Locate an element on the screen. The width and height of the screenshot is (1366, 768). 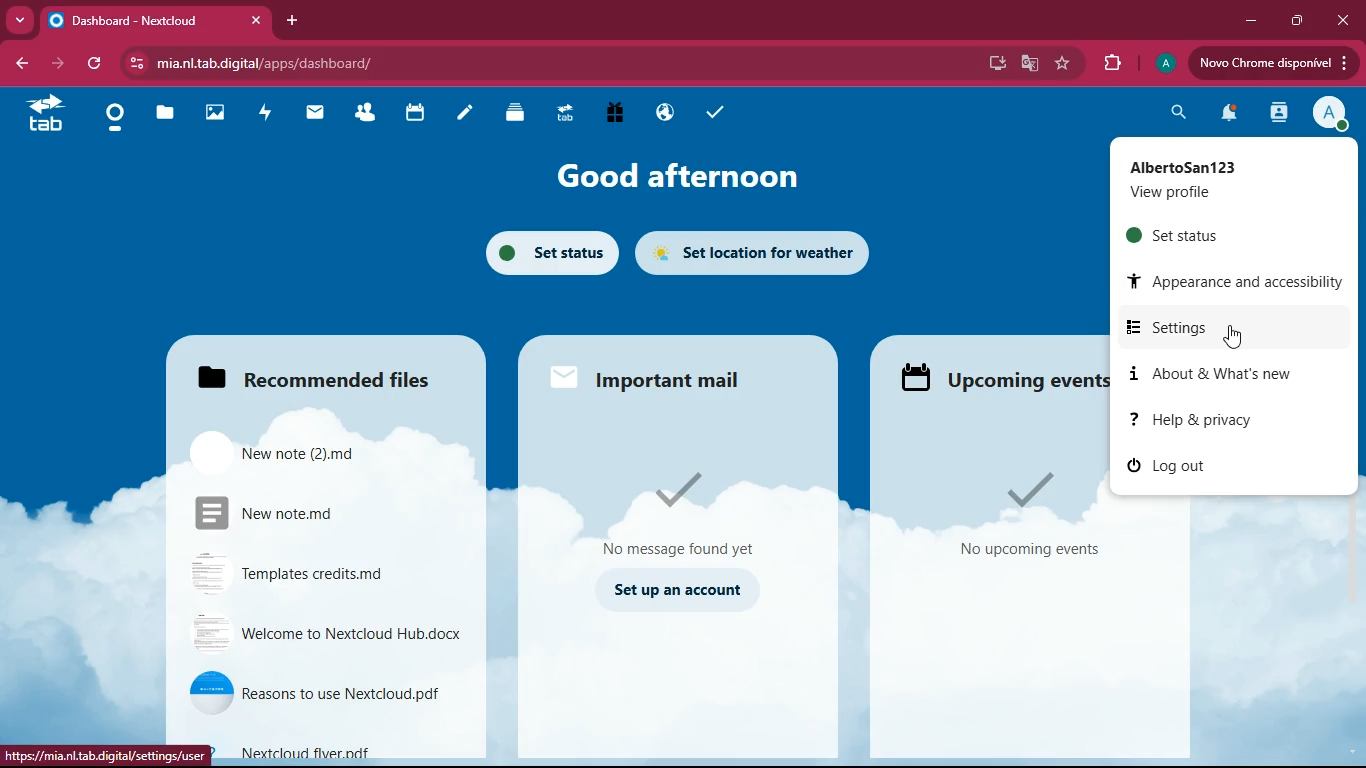
tasks is located at coordinates (717, 115).